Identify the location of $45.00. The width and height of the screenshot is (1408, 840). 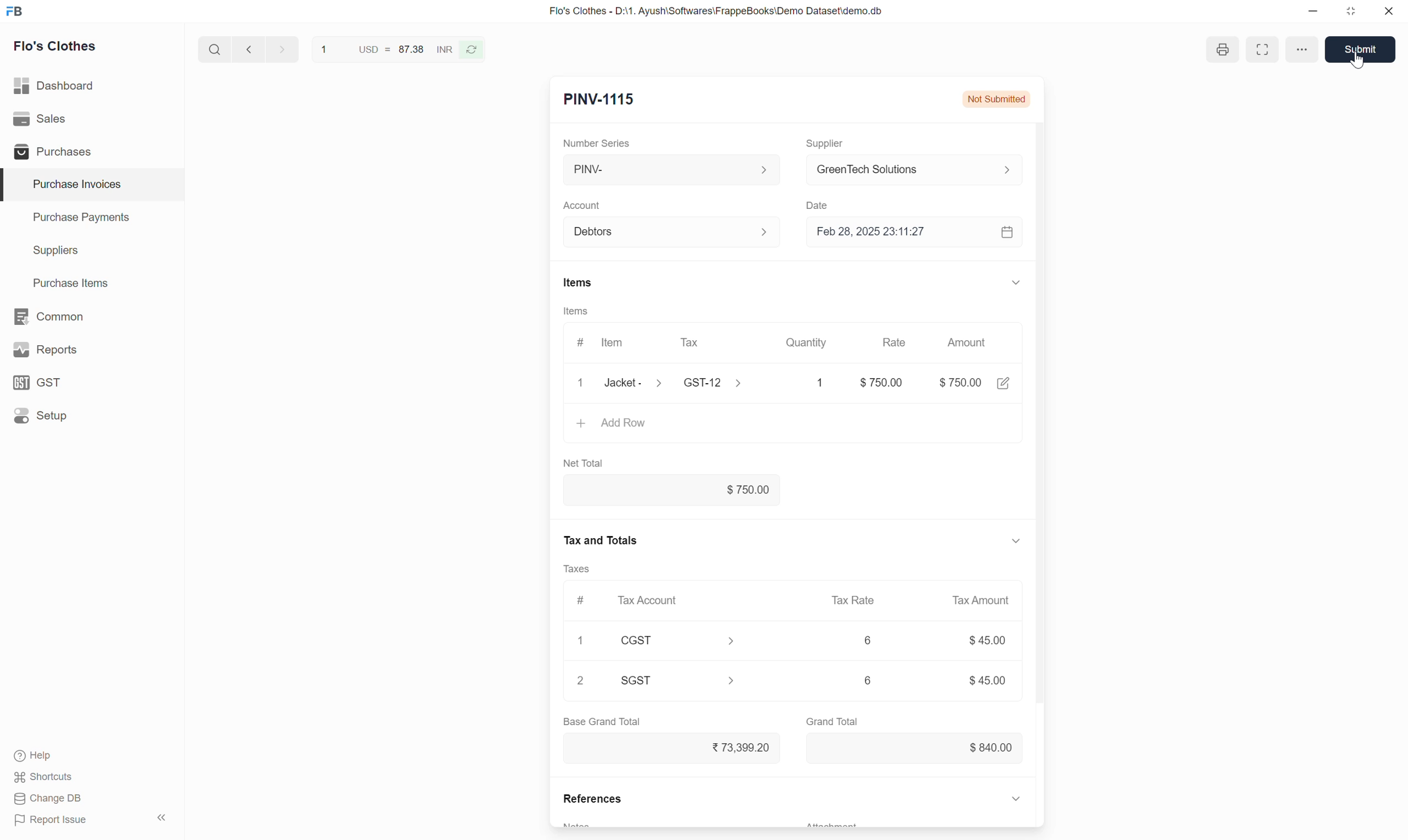
(988, 680).